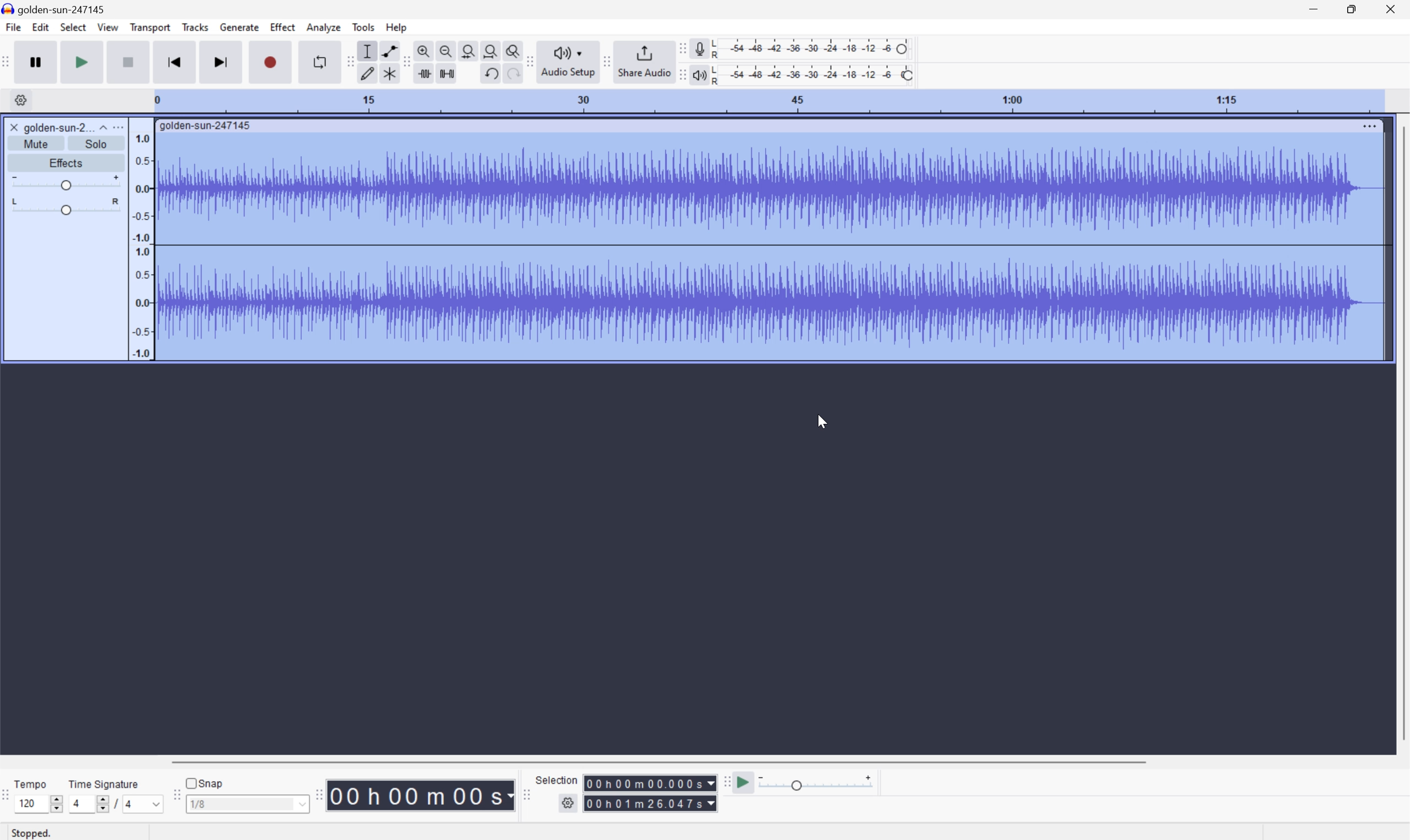 The width and height of the screenshot is (1410, 840). Describe the element at coordinates (644, 62) in the screenshot. I see `Share audio` at that location.